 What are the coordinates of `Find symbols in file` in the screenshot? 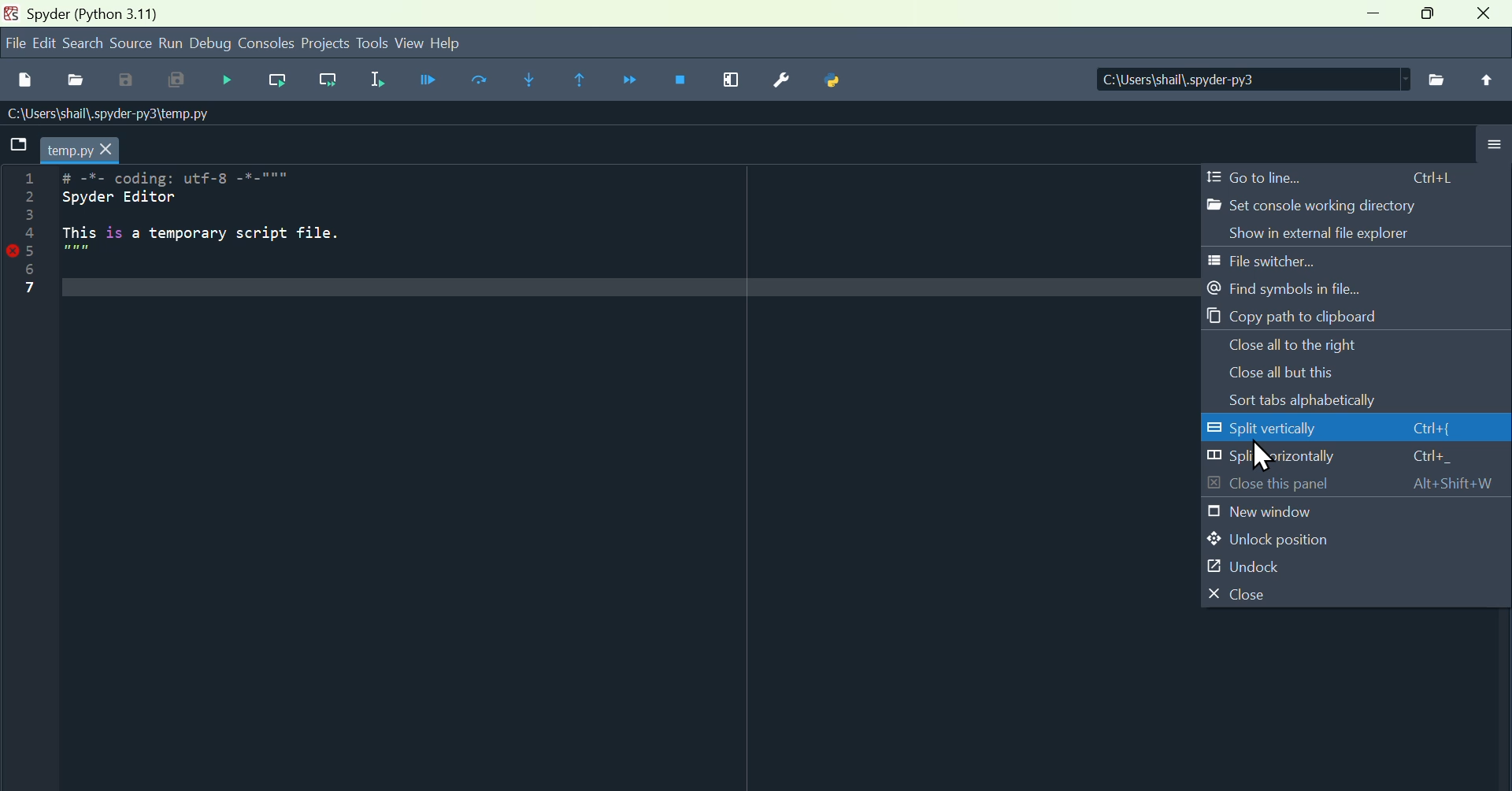 It's located at (1324, 288).